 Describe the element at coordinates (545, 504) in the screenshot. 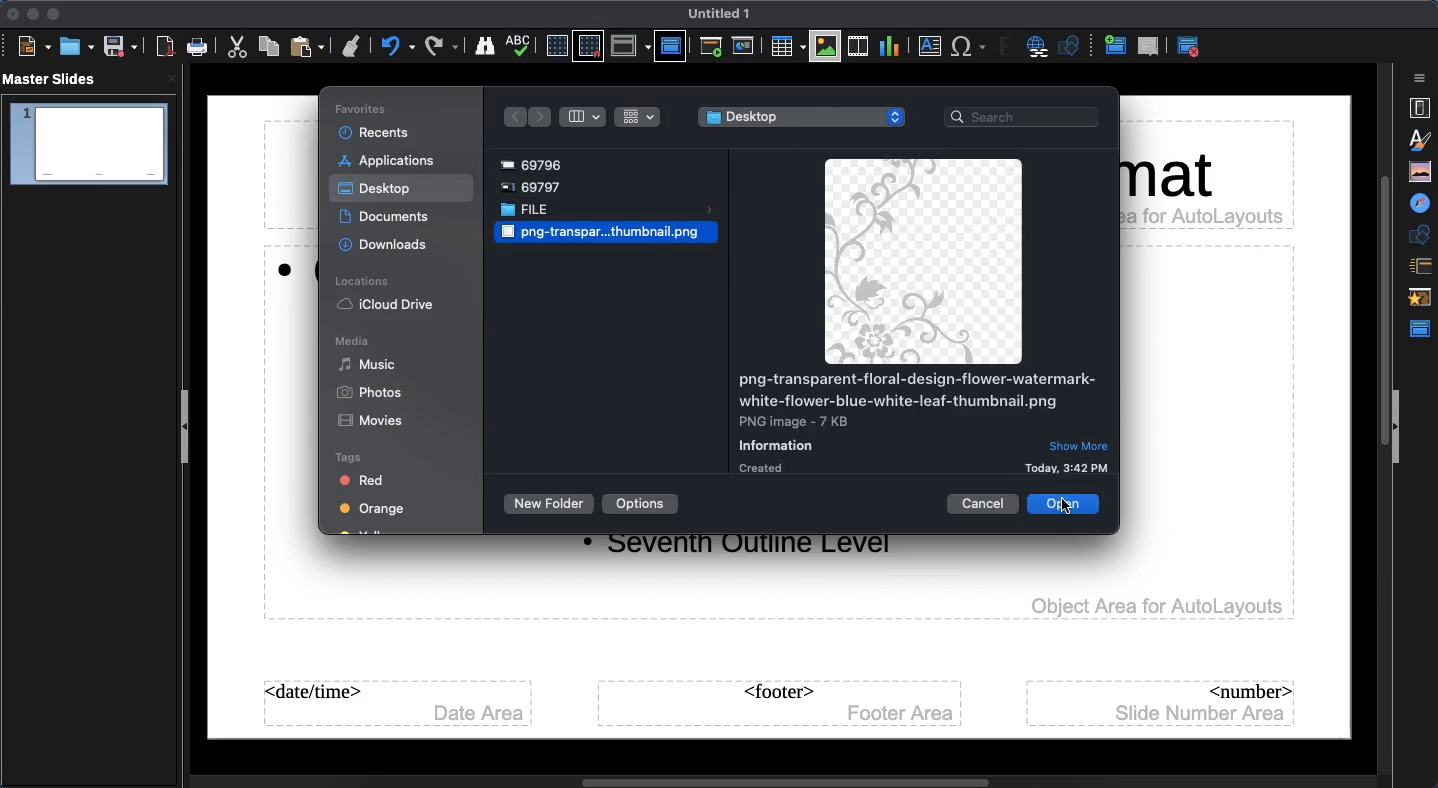

I see `New folder` at that location.